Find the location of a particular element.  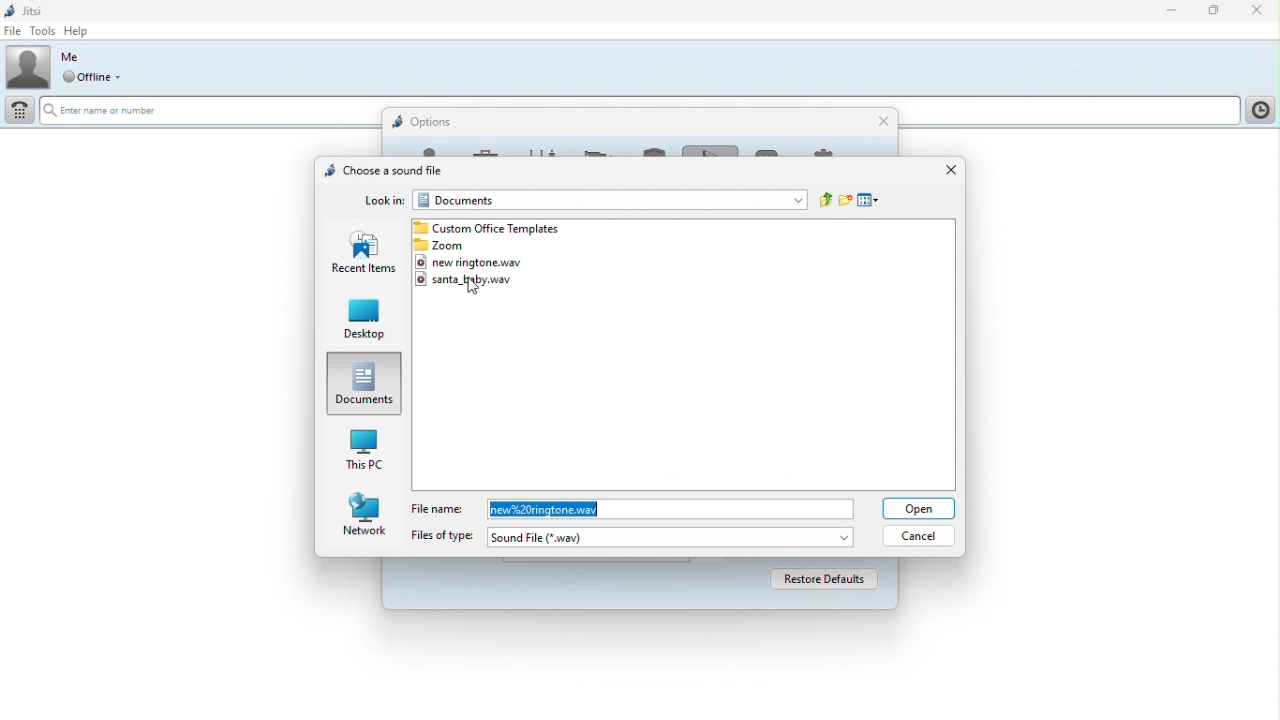

close is located at coordinates (947, 170).